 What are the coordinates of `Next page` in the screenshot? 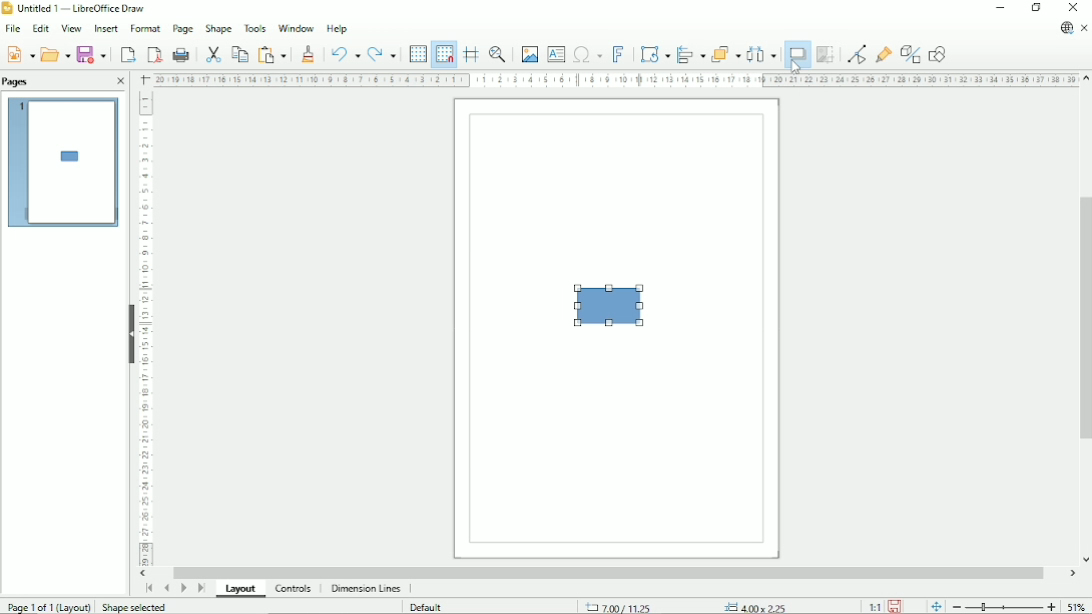 It's located at (183, 589).